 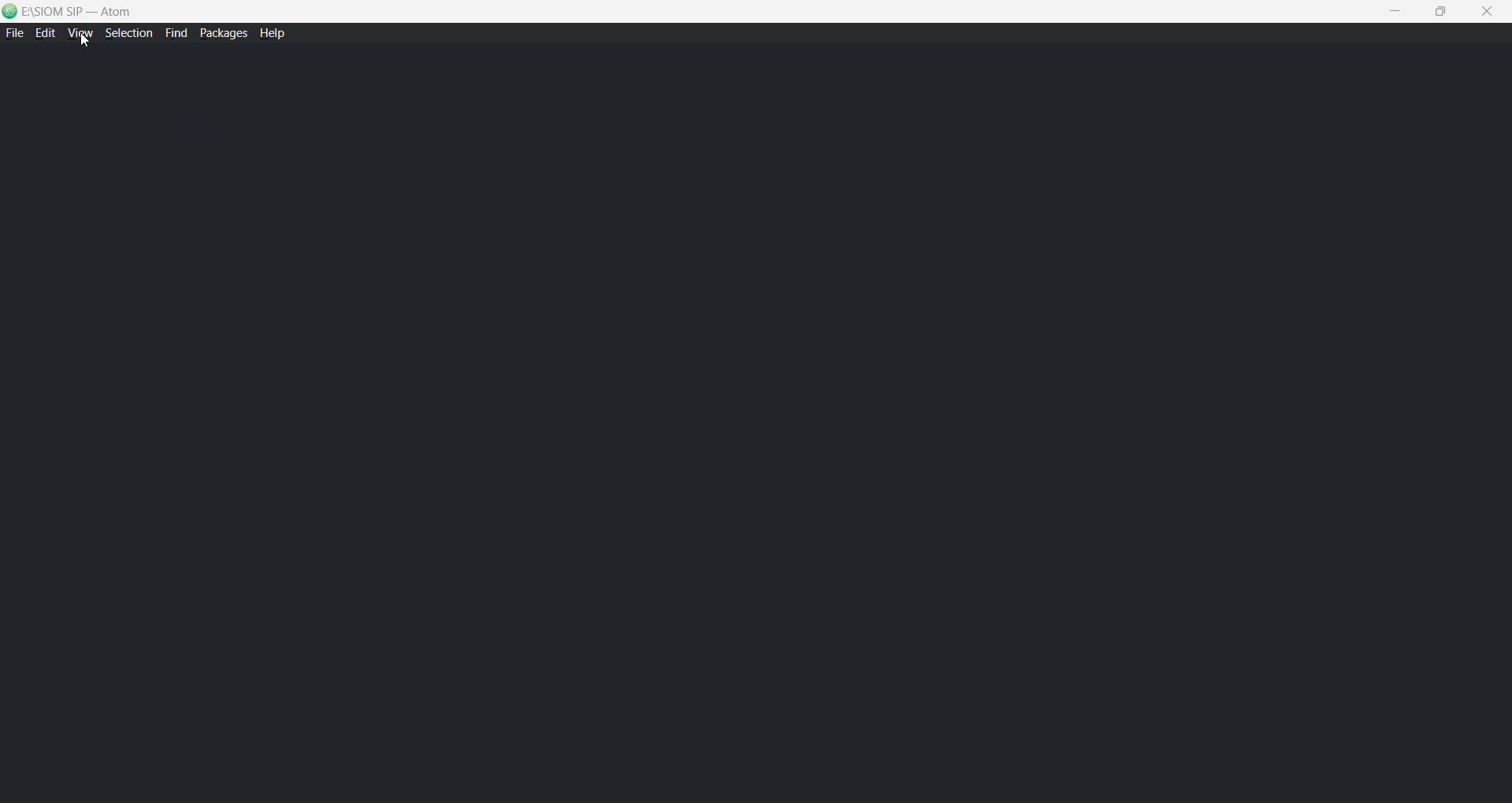 I want to click on cursor, so click(x=85, y=42).